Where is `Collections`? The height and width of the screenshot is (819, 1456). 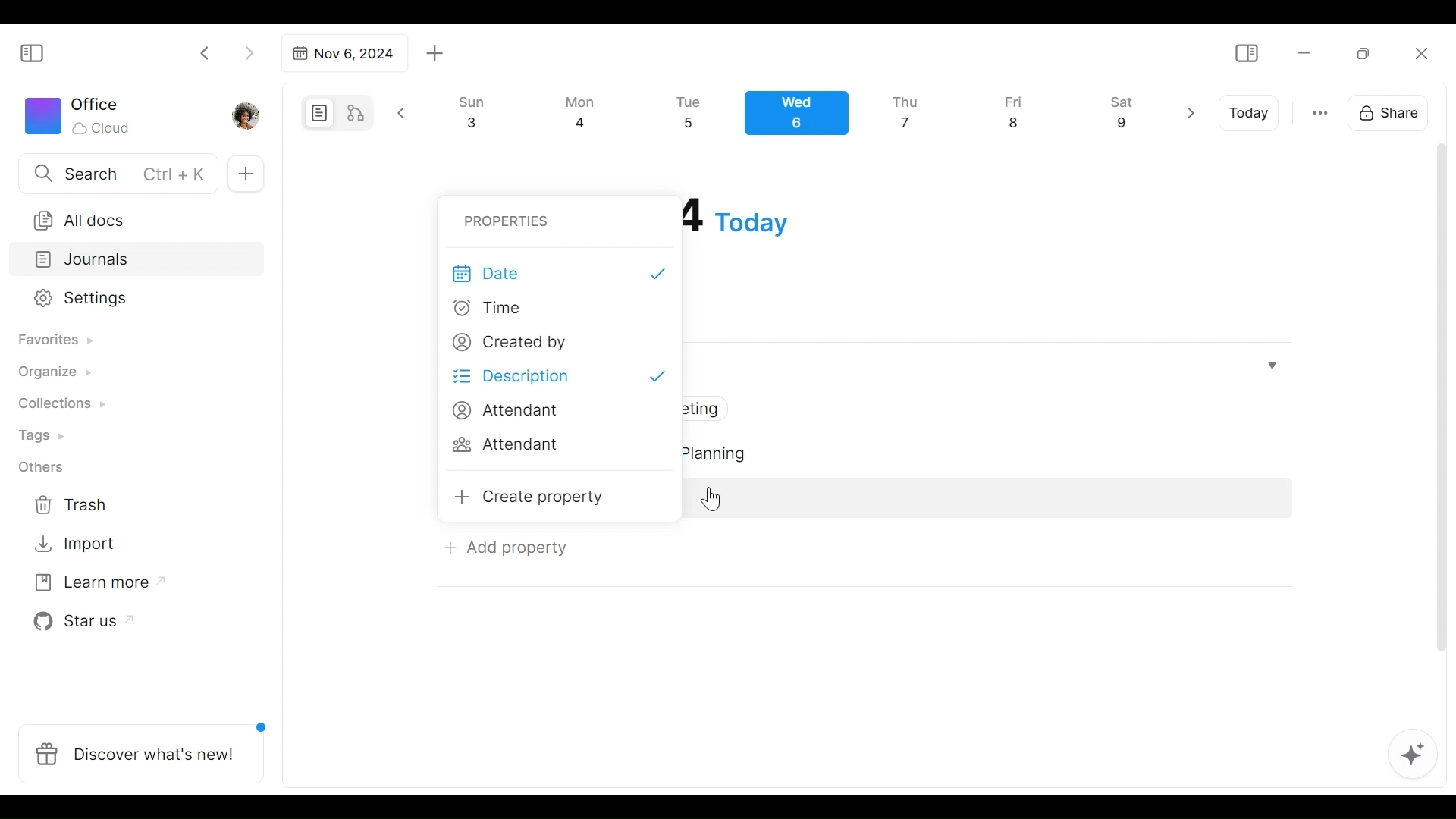
Collections is located at coordinates (60, 406).